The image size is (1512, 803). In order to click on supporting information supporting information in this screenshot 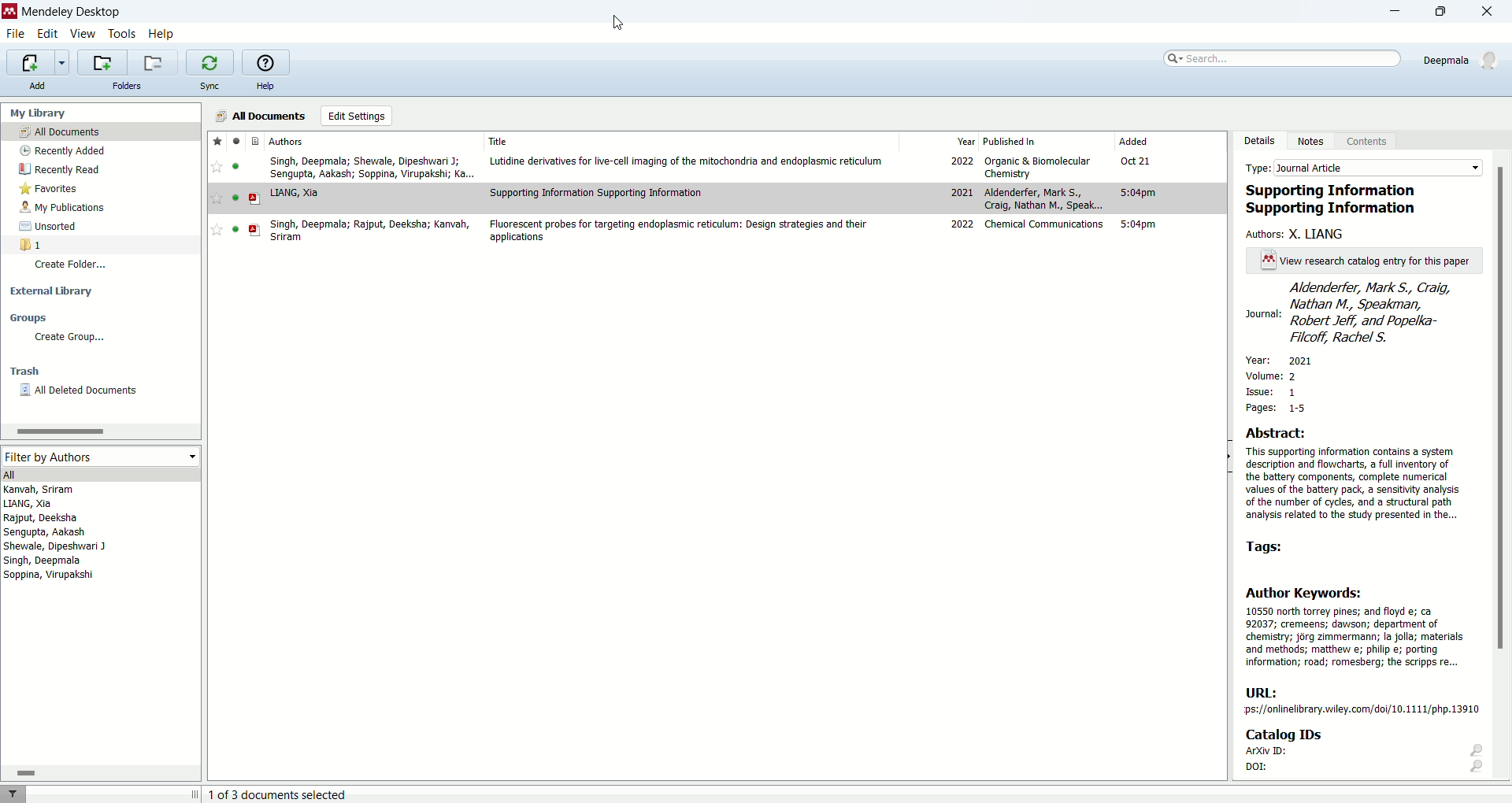, I will do `click(1338, 200)`.